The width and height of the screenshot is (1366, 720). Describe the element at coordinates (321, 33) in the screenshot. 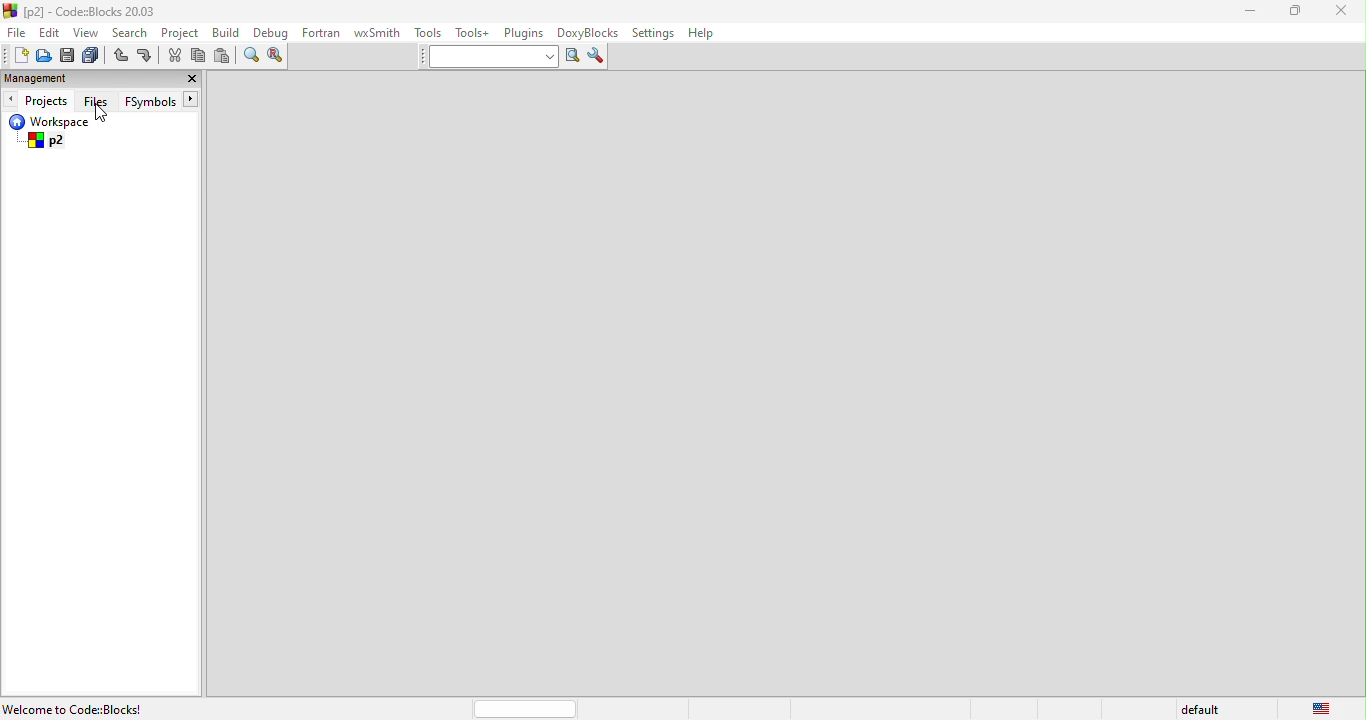

I see `fortran` at that location.